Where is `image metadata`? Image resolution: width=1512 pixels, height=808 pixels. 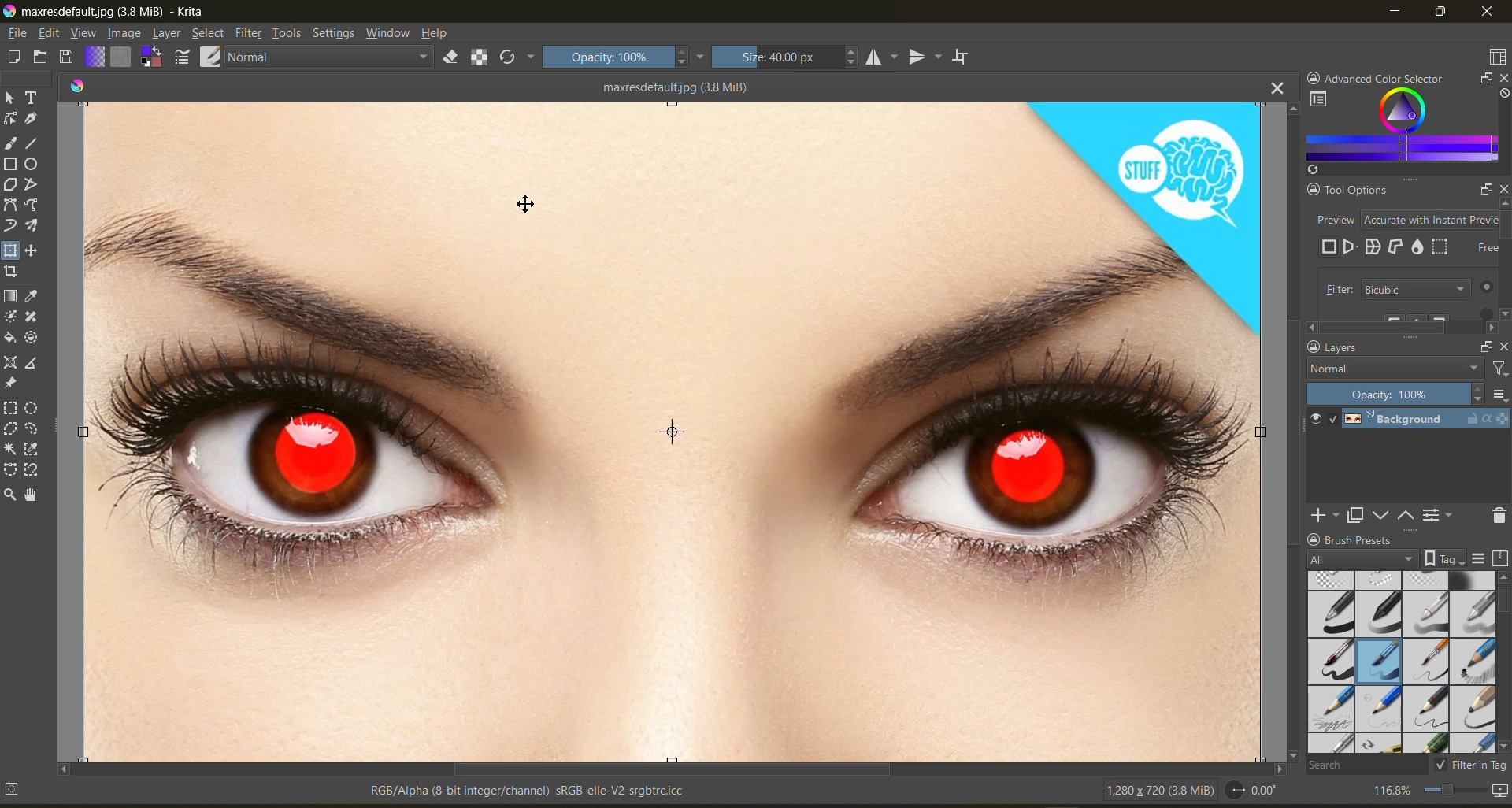
image metadata is located at coordinates (1151, 791).